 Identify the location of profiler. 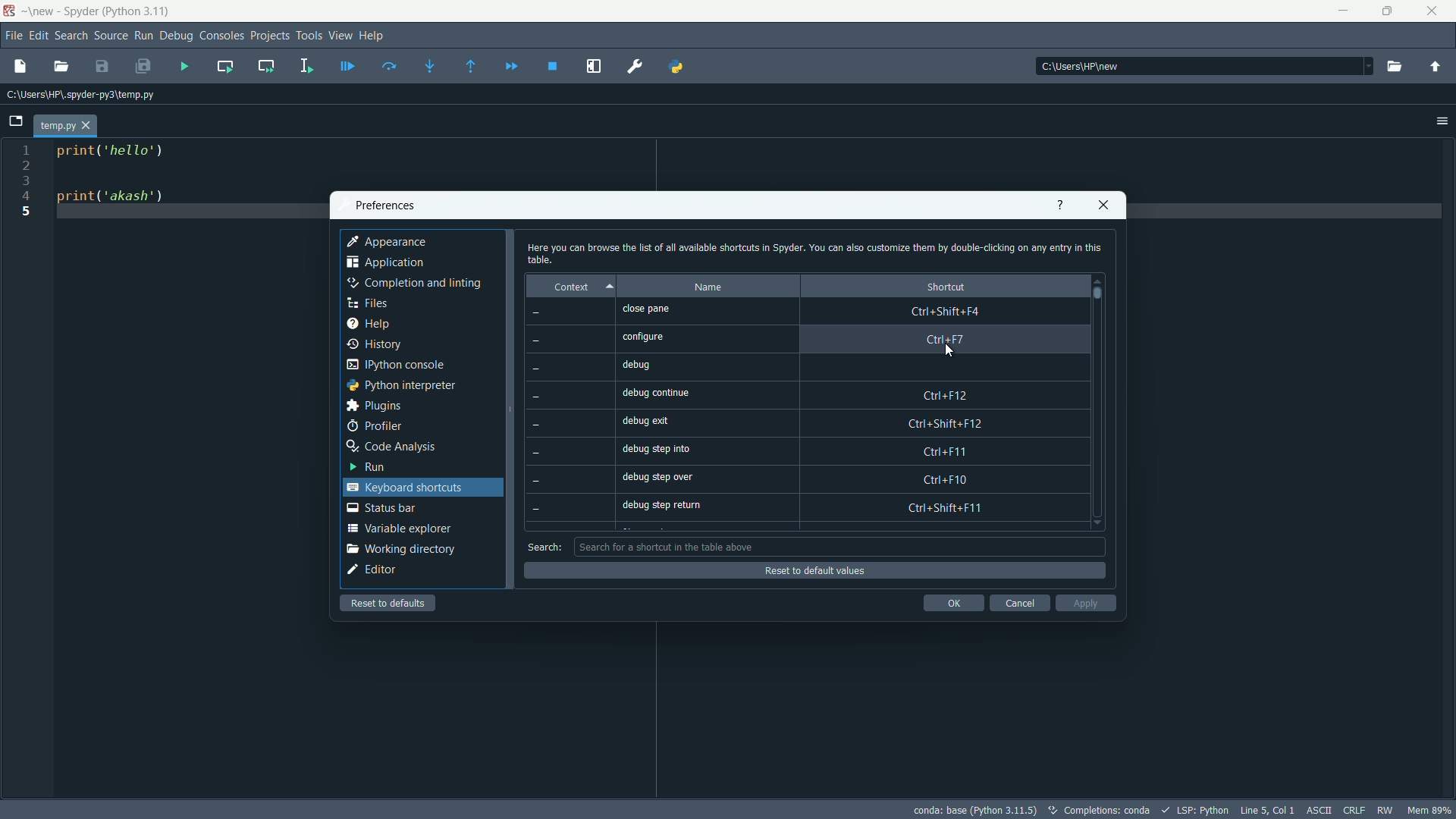
(374, 426).